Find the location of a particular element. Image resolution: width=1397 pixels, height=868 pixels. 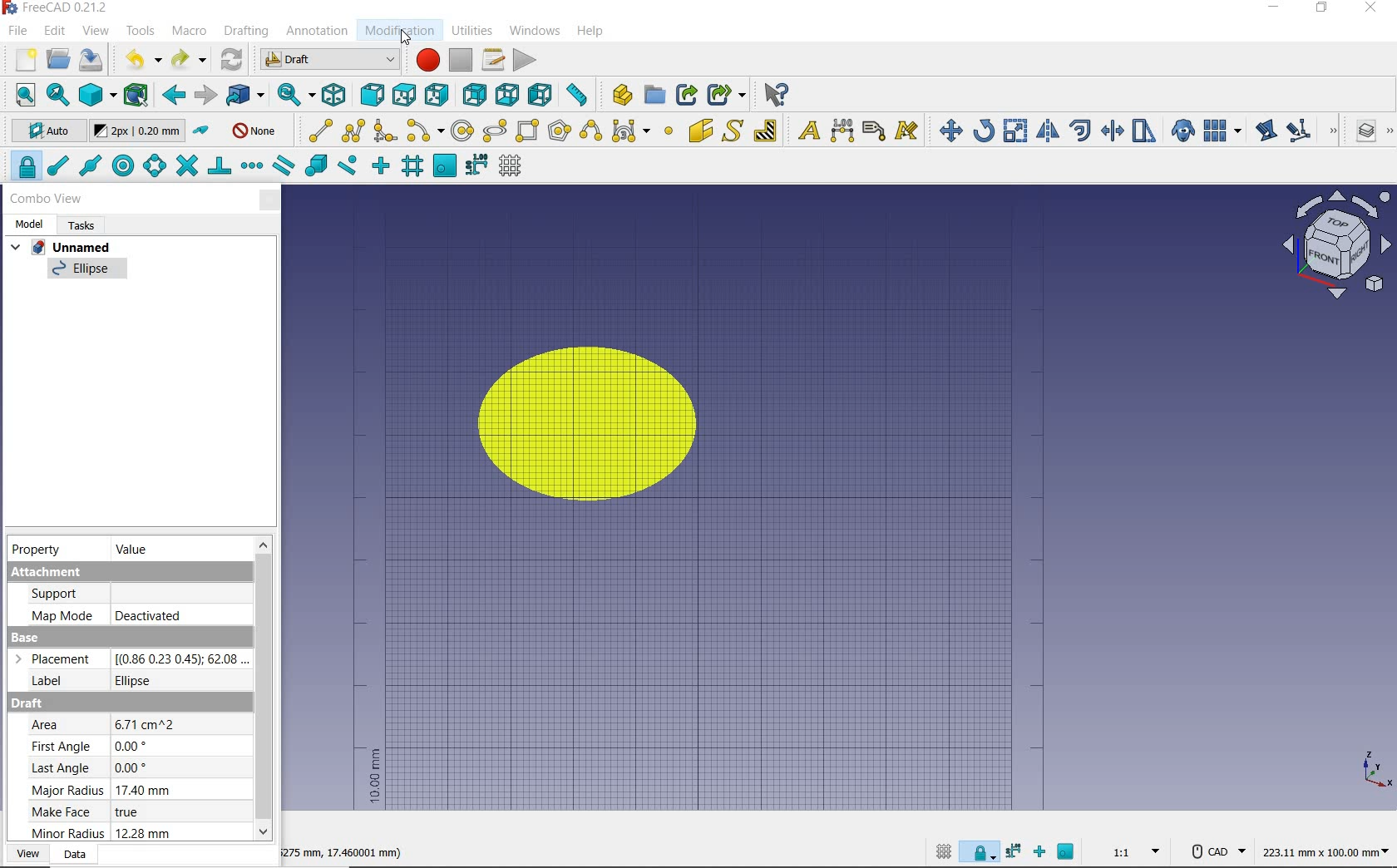

view is located at coordinates (26, 853).